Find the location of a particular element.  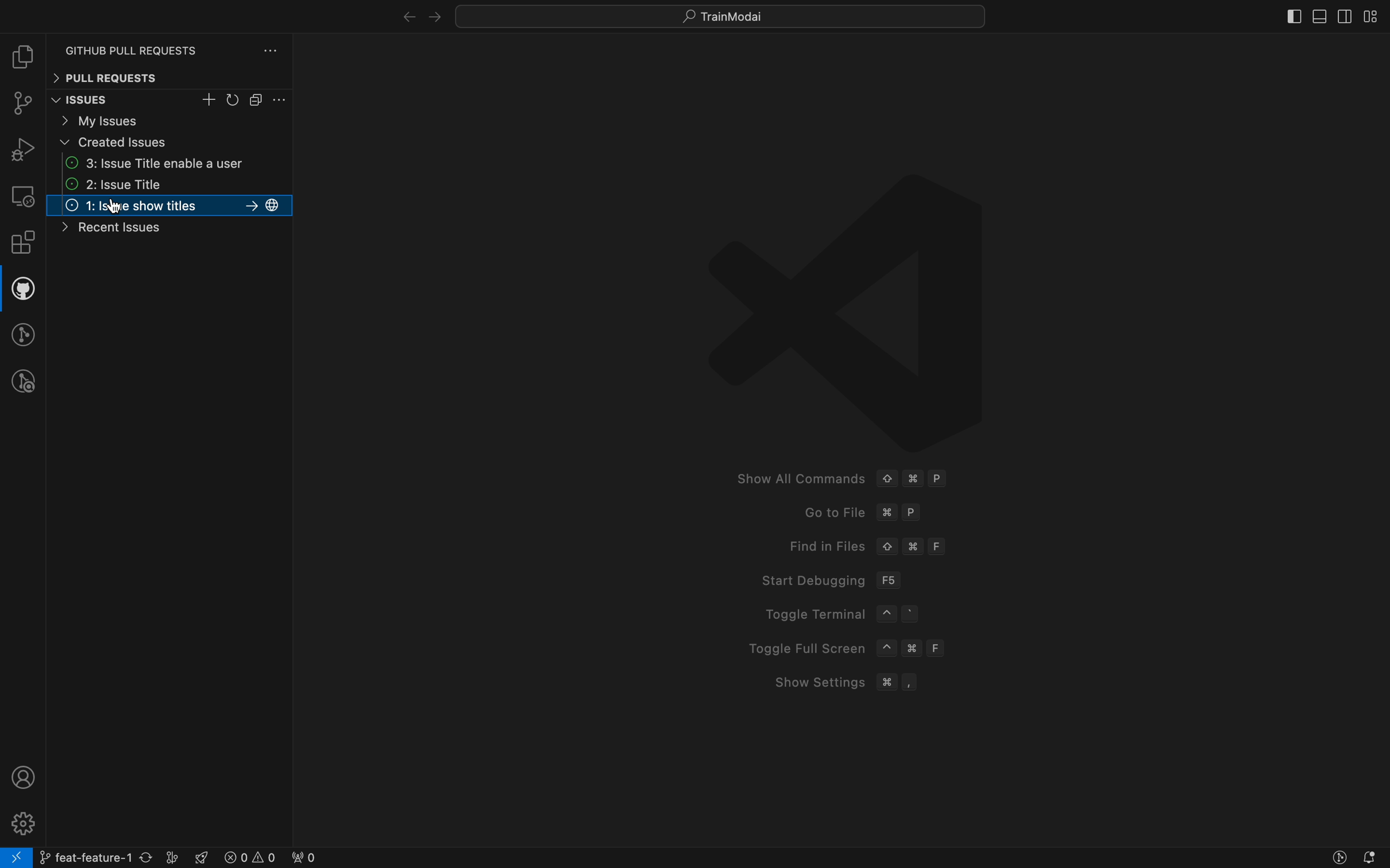

settings is located at coordinates (281, 100).